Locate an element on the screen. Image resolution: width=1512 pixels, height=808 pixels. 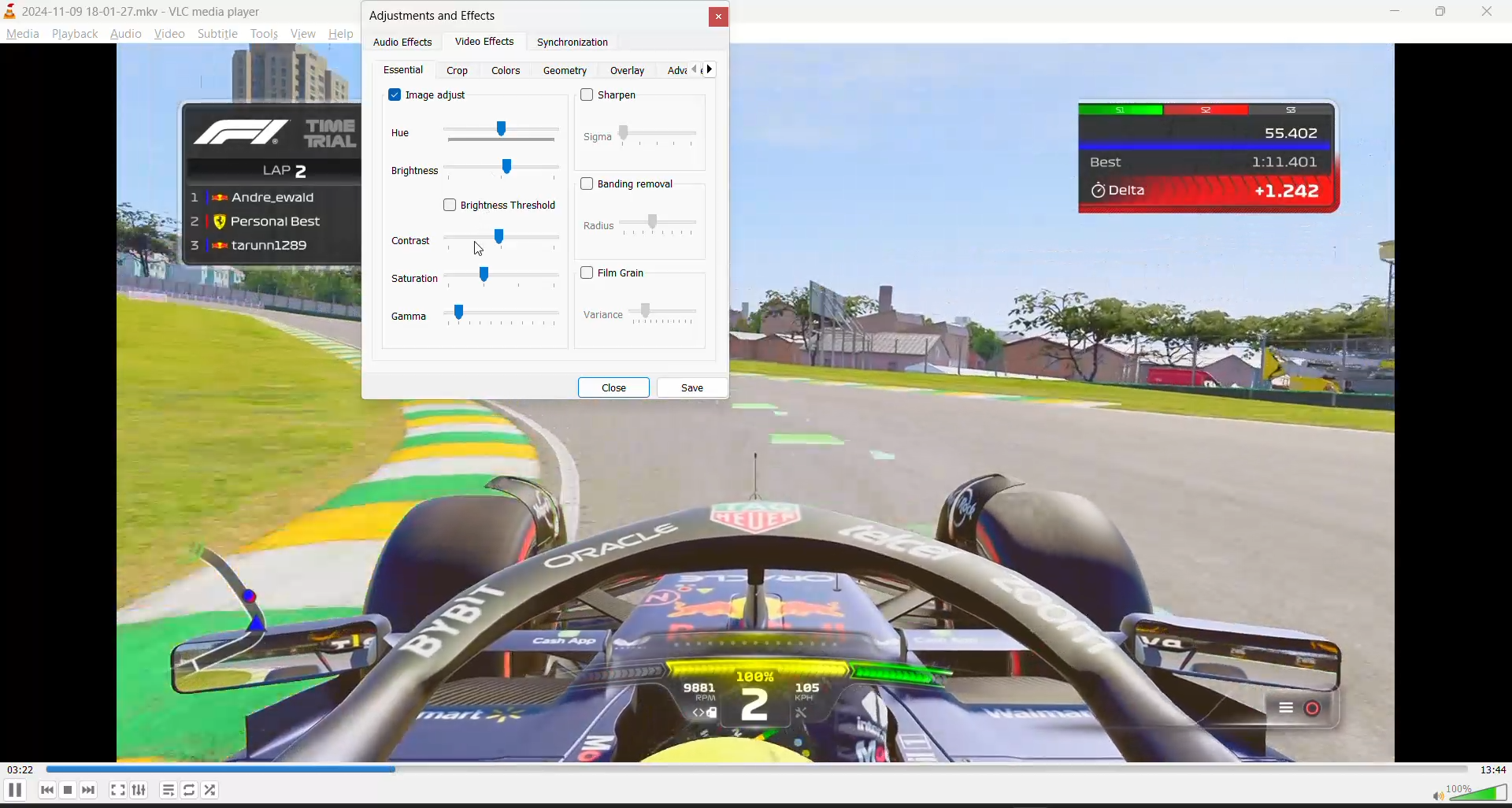
close is located at coordinates (613, 387).